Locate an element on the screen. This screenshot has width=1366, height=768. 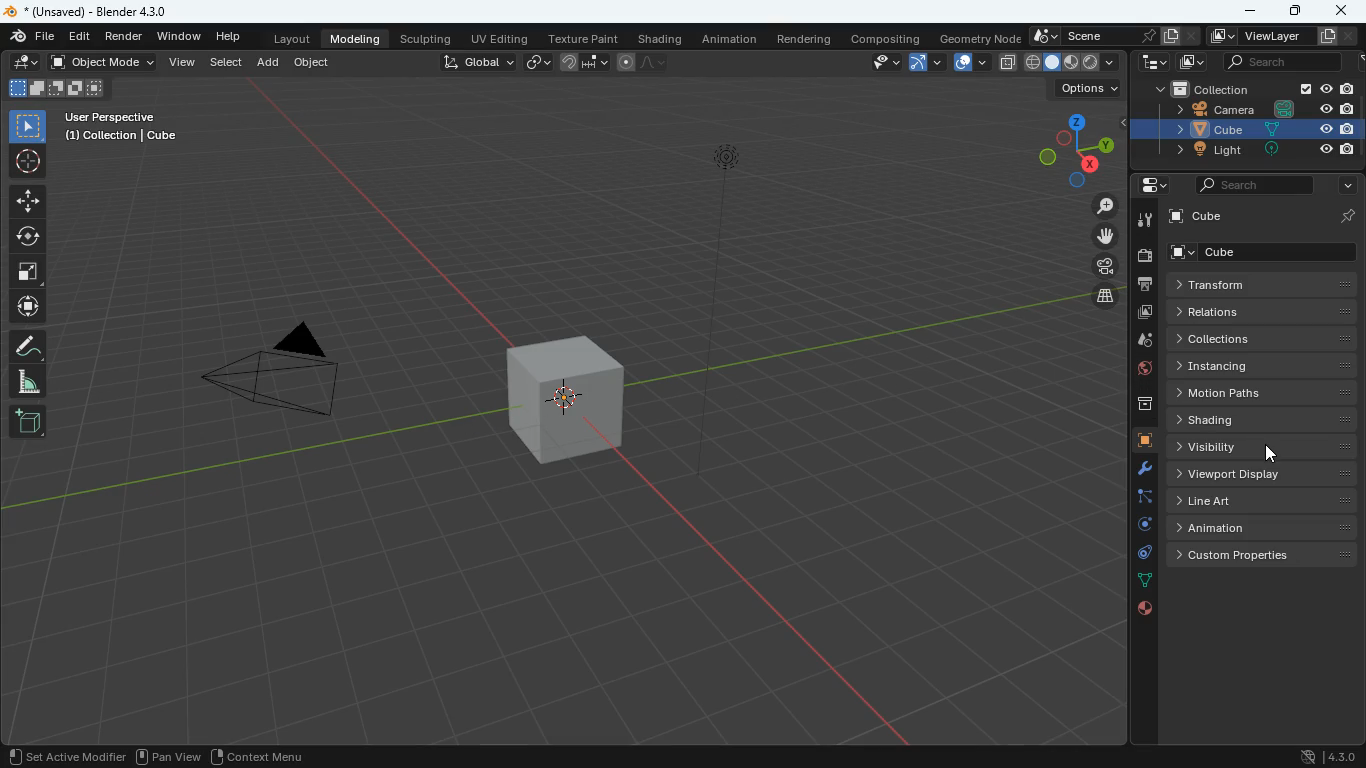
layout is located at coordinates (285, 38).